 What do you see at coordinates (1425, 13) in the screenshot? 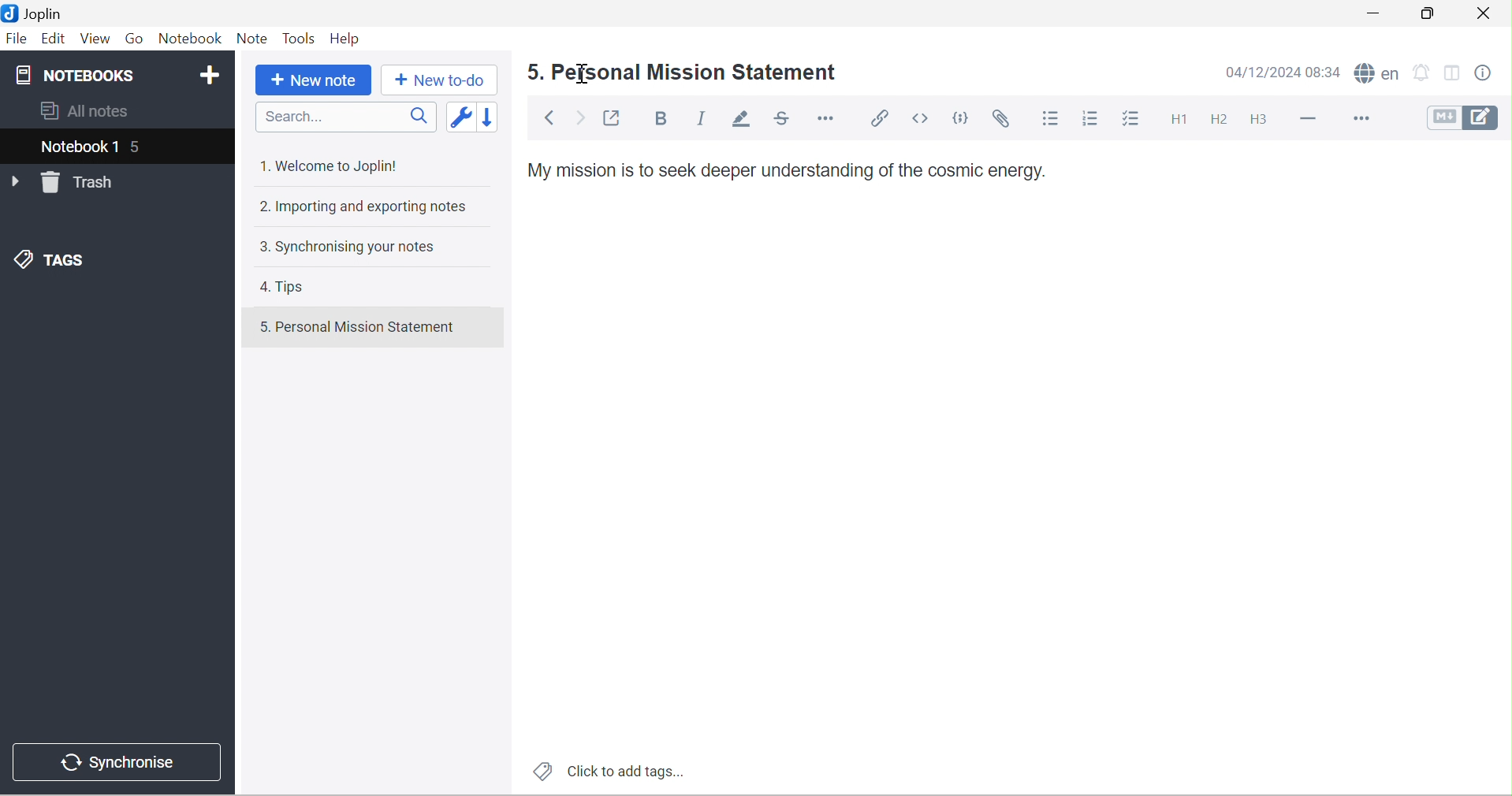
I see `Restore Down` at bounding box center [1425, 13].